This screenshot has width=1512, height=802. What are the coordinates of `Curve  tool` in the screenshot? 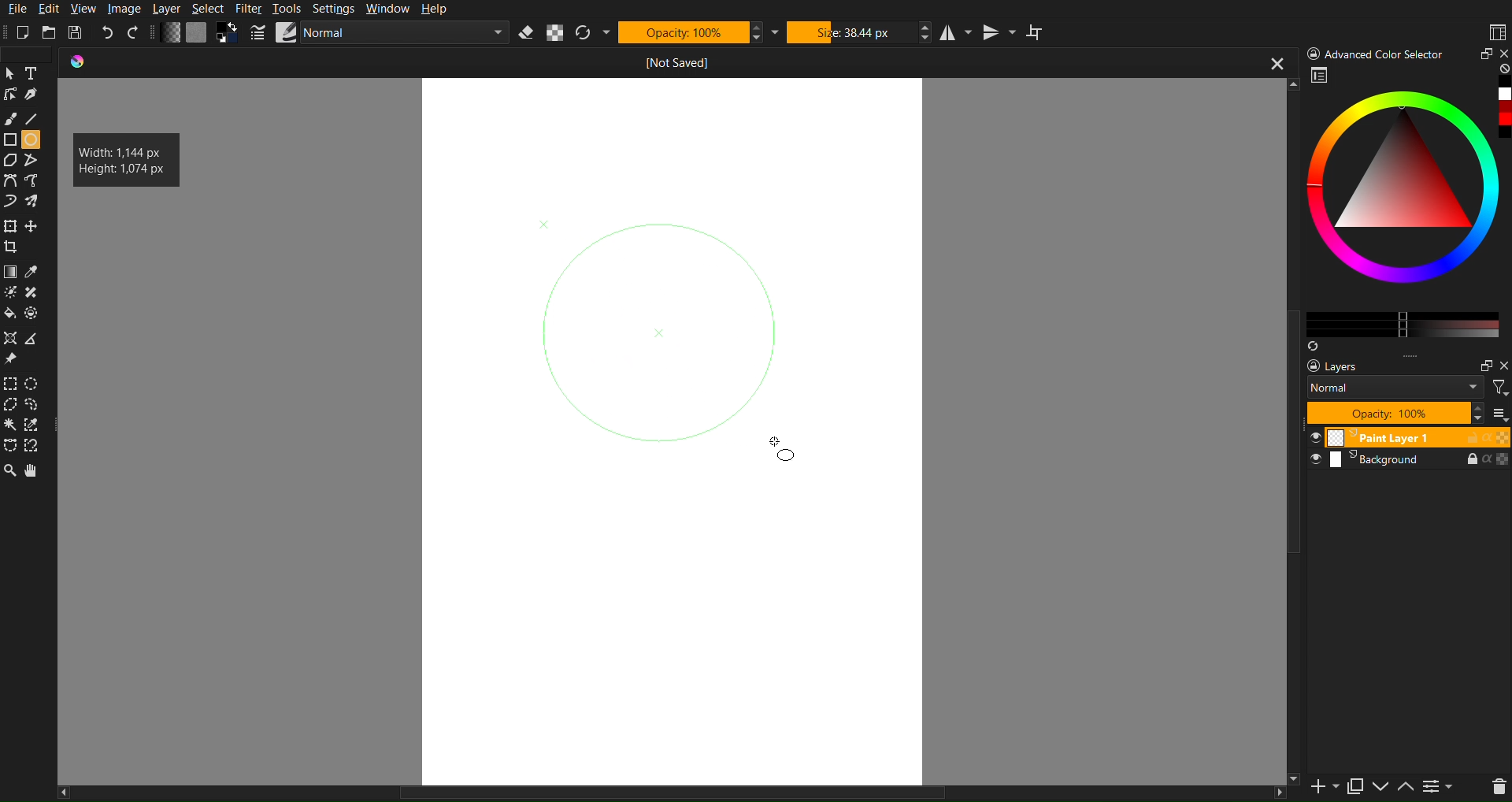 It's located at (35, 182).